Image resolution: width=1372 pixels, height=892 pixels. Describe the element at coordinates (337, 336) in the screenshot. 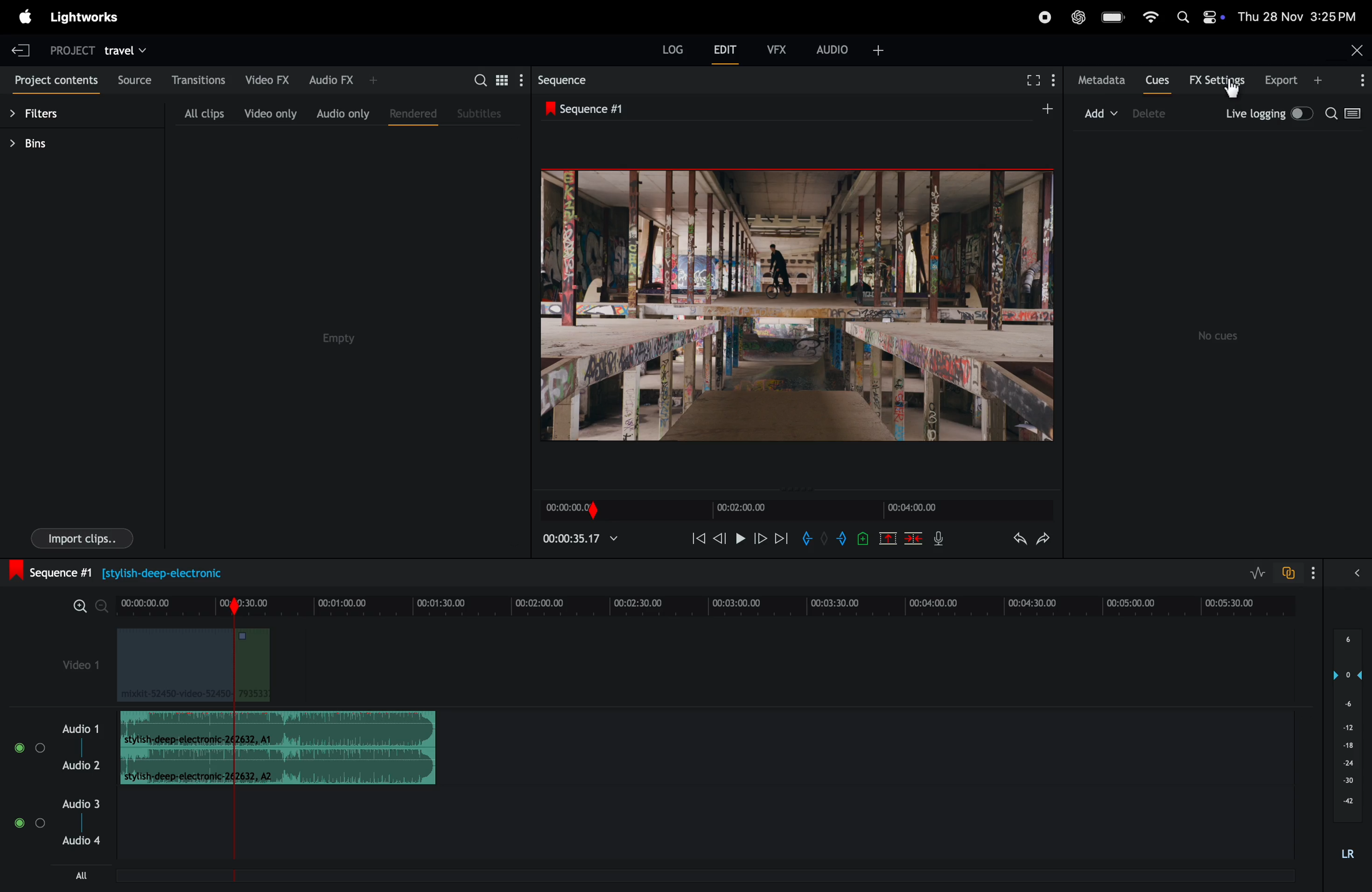

I see `empty` at that location.